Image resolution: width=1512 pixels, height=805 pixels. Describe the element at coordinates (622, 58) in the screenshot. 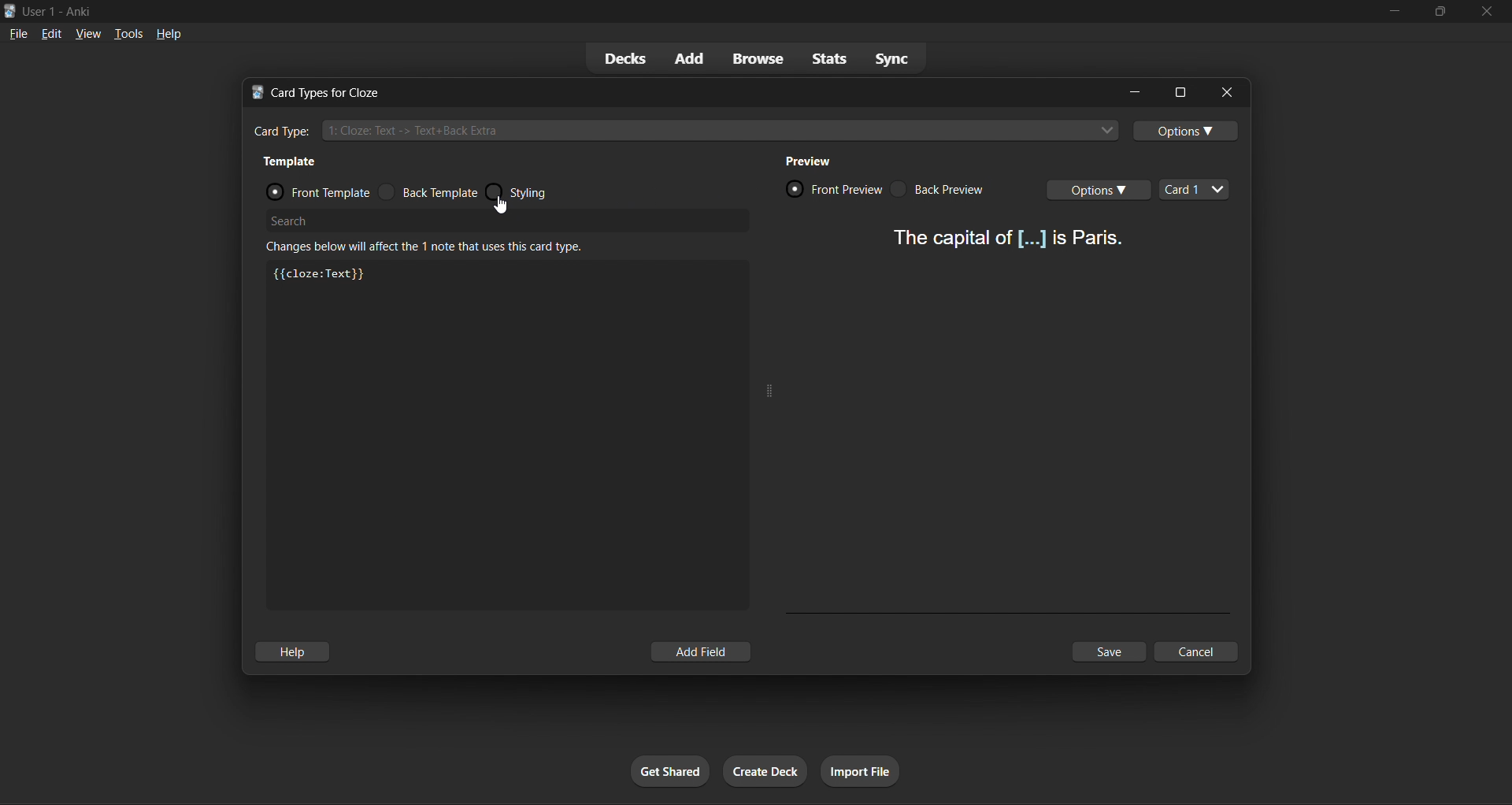

I see `decks` at that location.